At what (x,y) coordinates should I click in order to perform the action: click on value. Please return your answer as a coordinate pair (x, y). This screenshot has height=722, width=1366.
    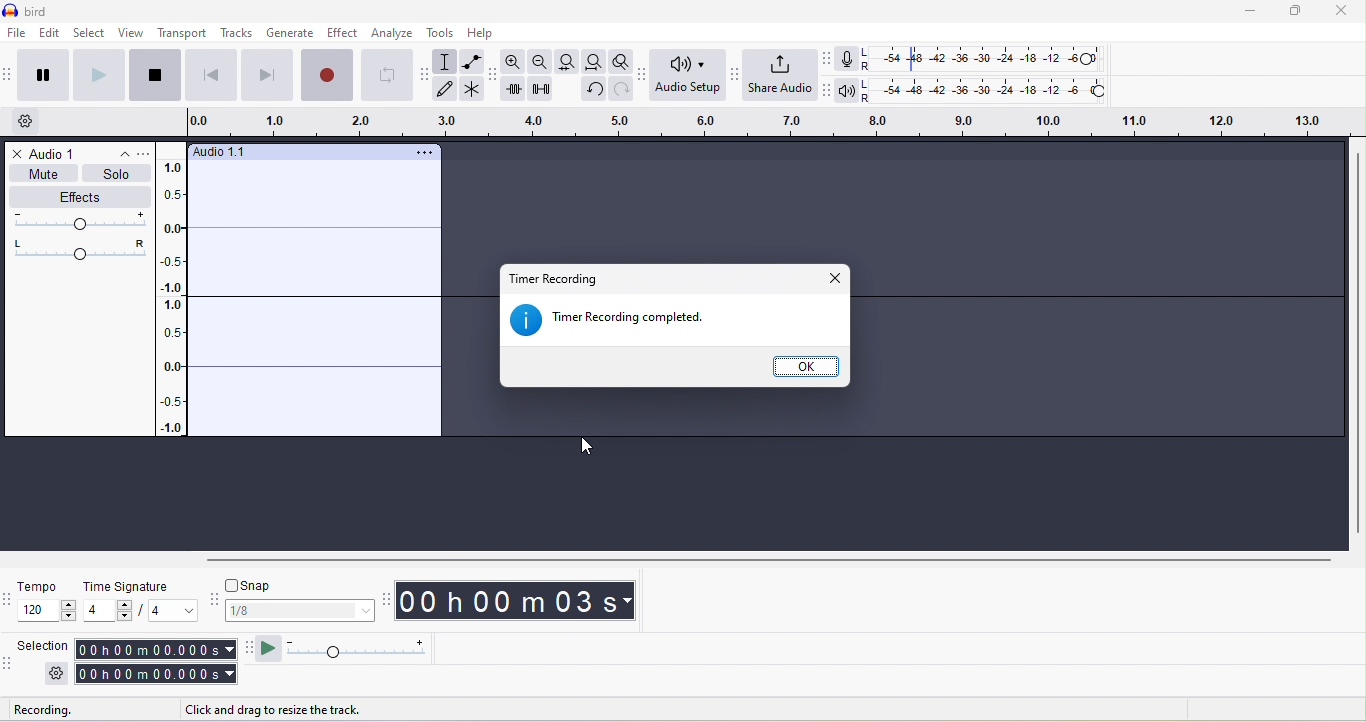
    Looking at the image, I should click on (106, 611).